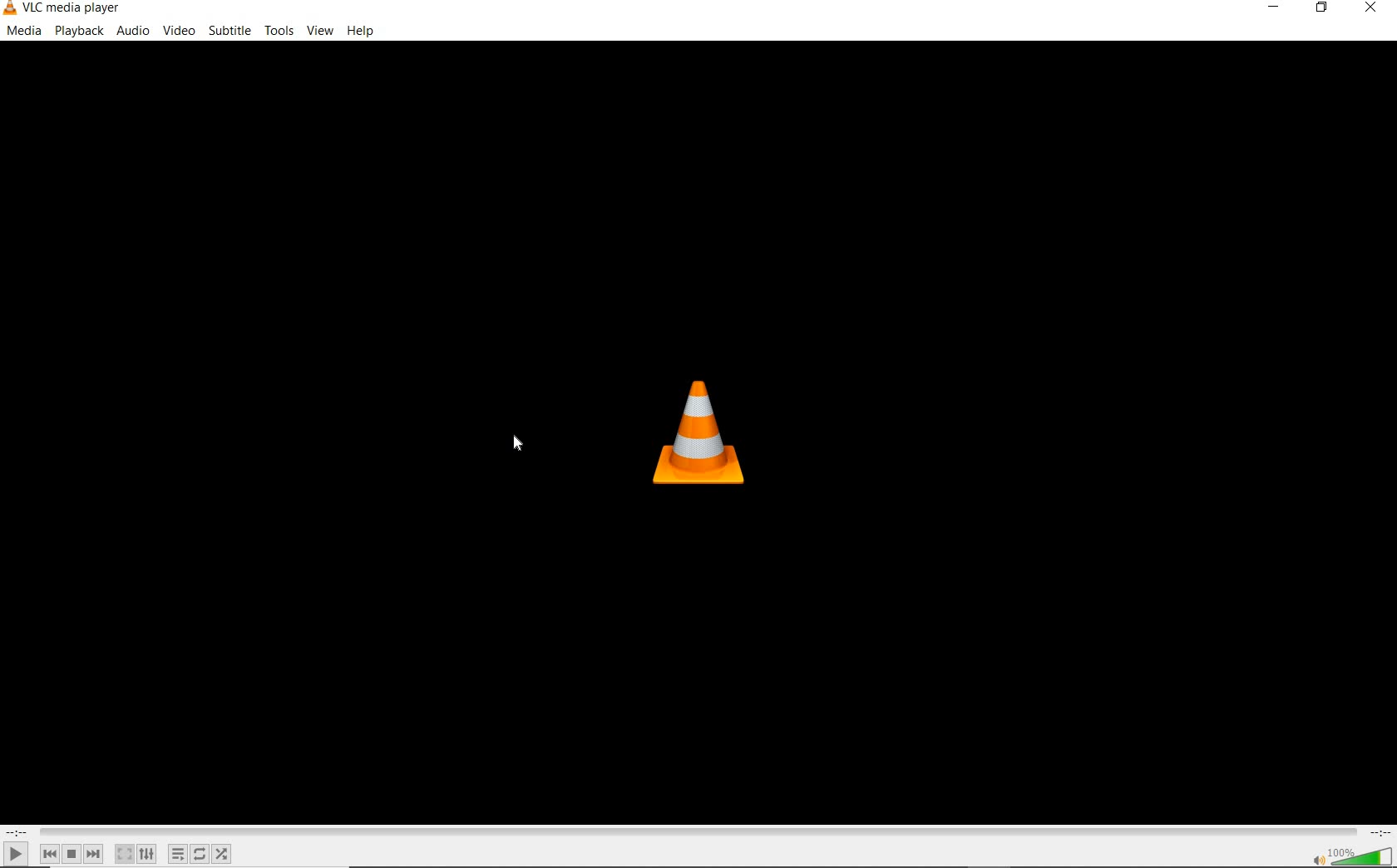 This screenshot has height=868, width=1397. What do you see at coordinates (1362, 855) in the screenshot?
I see `volume` at bounding box center [1362, 855].